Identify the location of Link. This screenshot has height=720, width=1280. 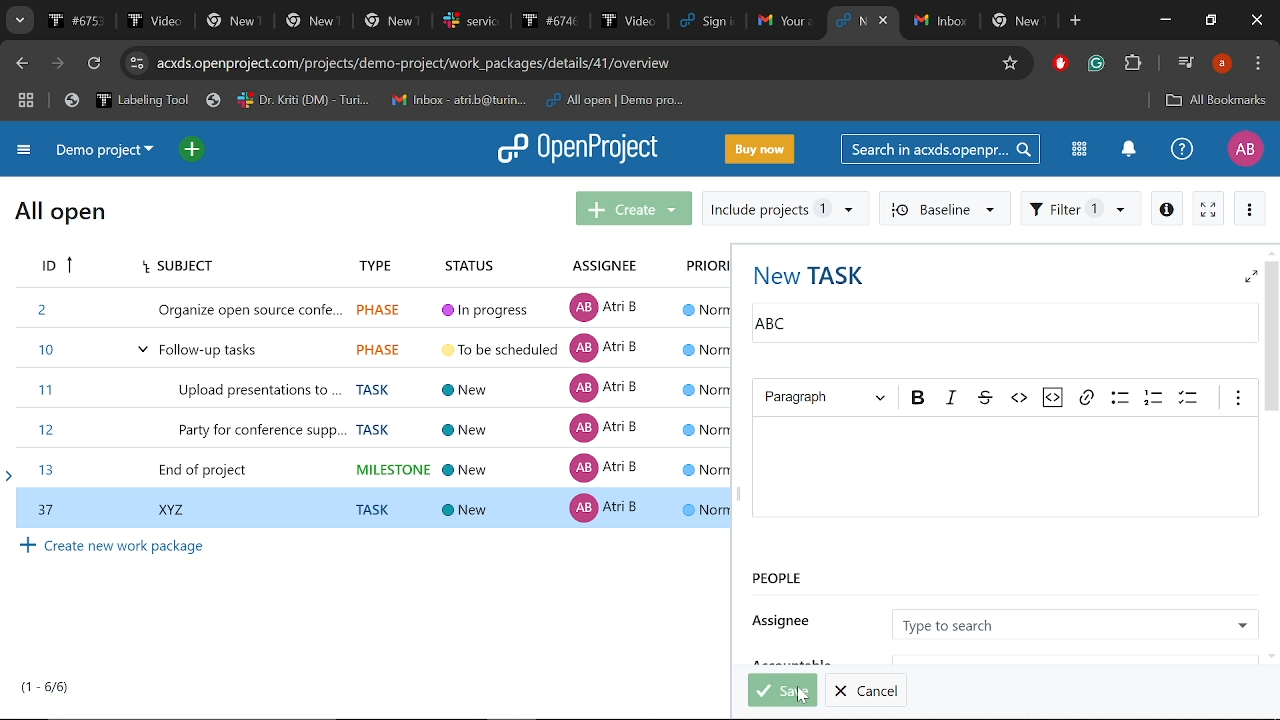
(1086, 397).